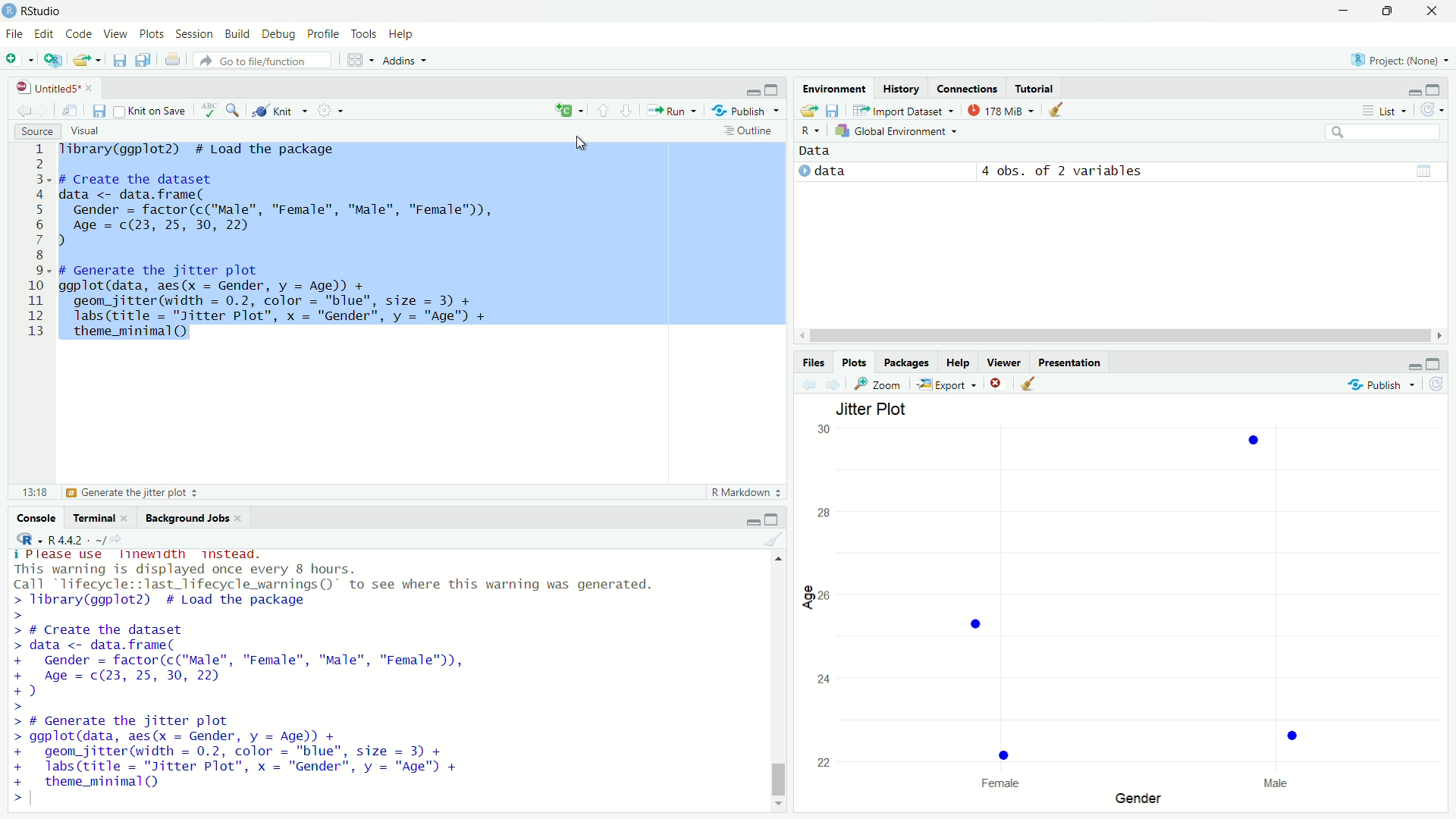 Image resolution: width=1456 pixels, height=819 pixels. Describe the element at coordinates (262, 754) in the screenshot. I see `code to generate the jitter plot` at that location.